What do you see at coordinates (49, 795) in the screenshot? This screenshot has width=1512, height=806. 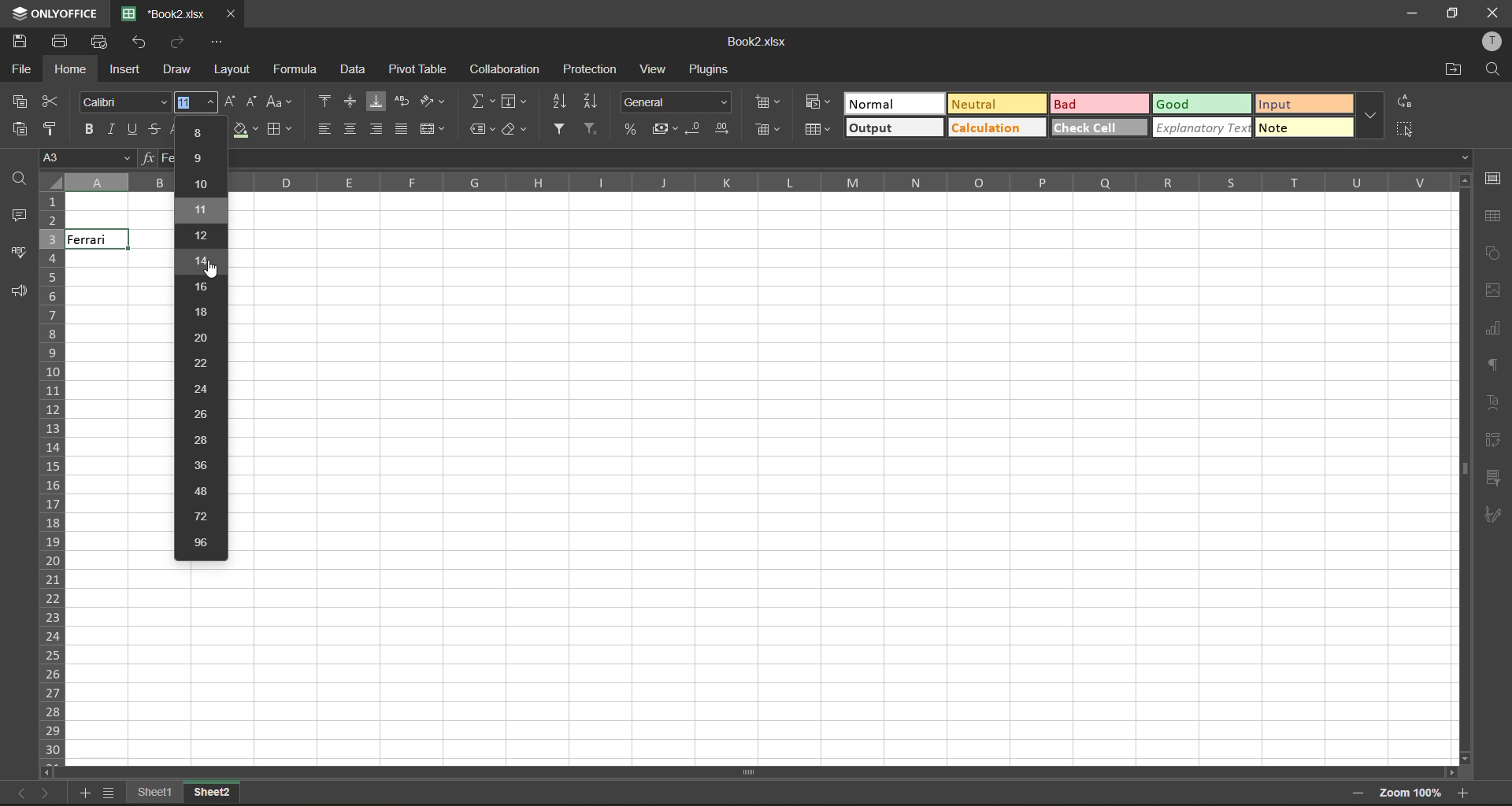 I see `next` at bounding box center [49, 795].